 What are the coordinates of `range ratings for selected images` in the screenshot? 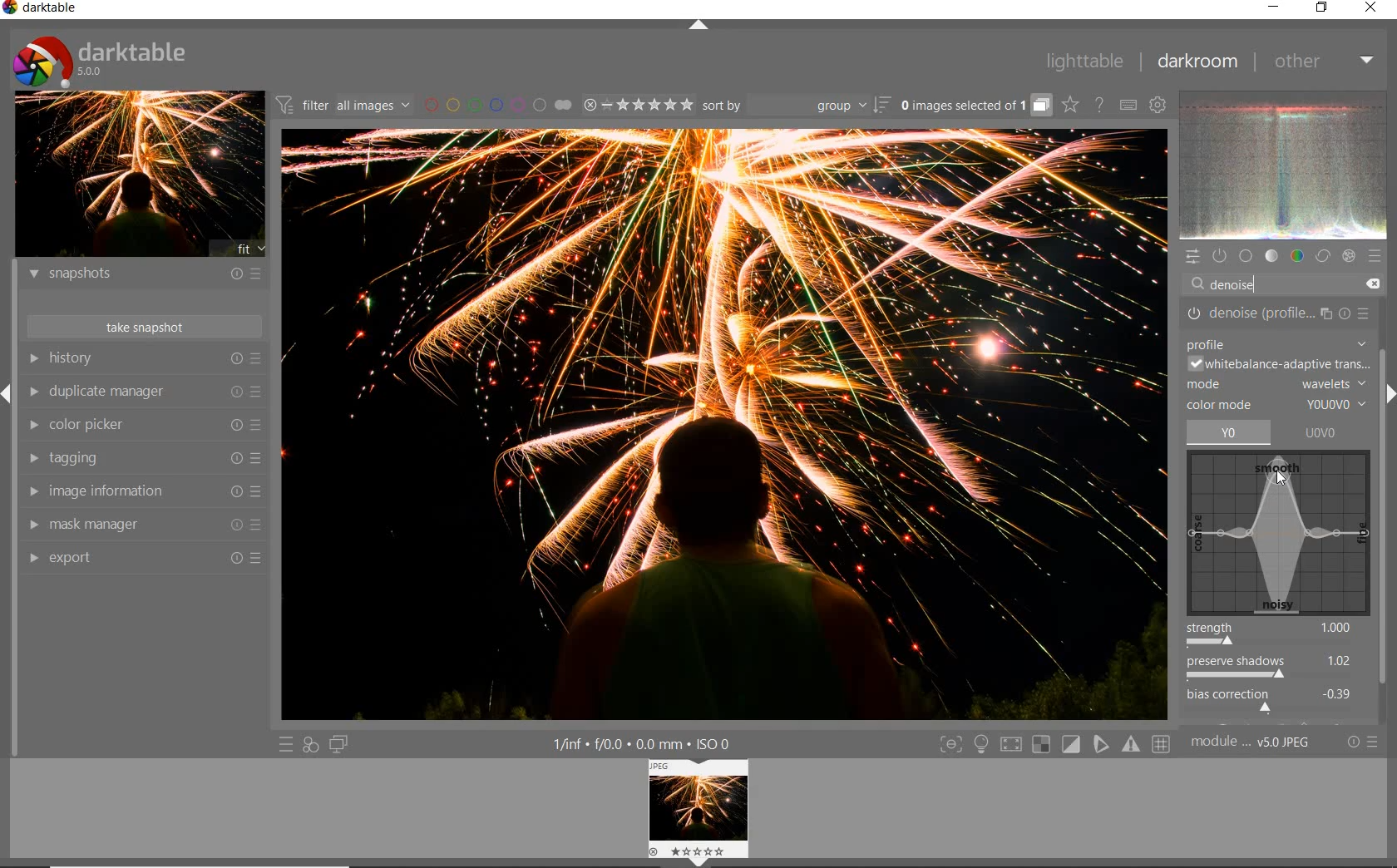 It's located at (637, 106).